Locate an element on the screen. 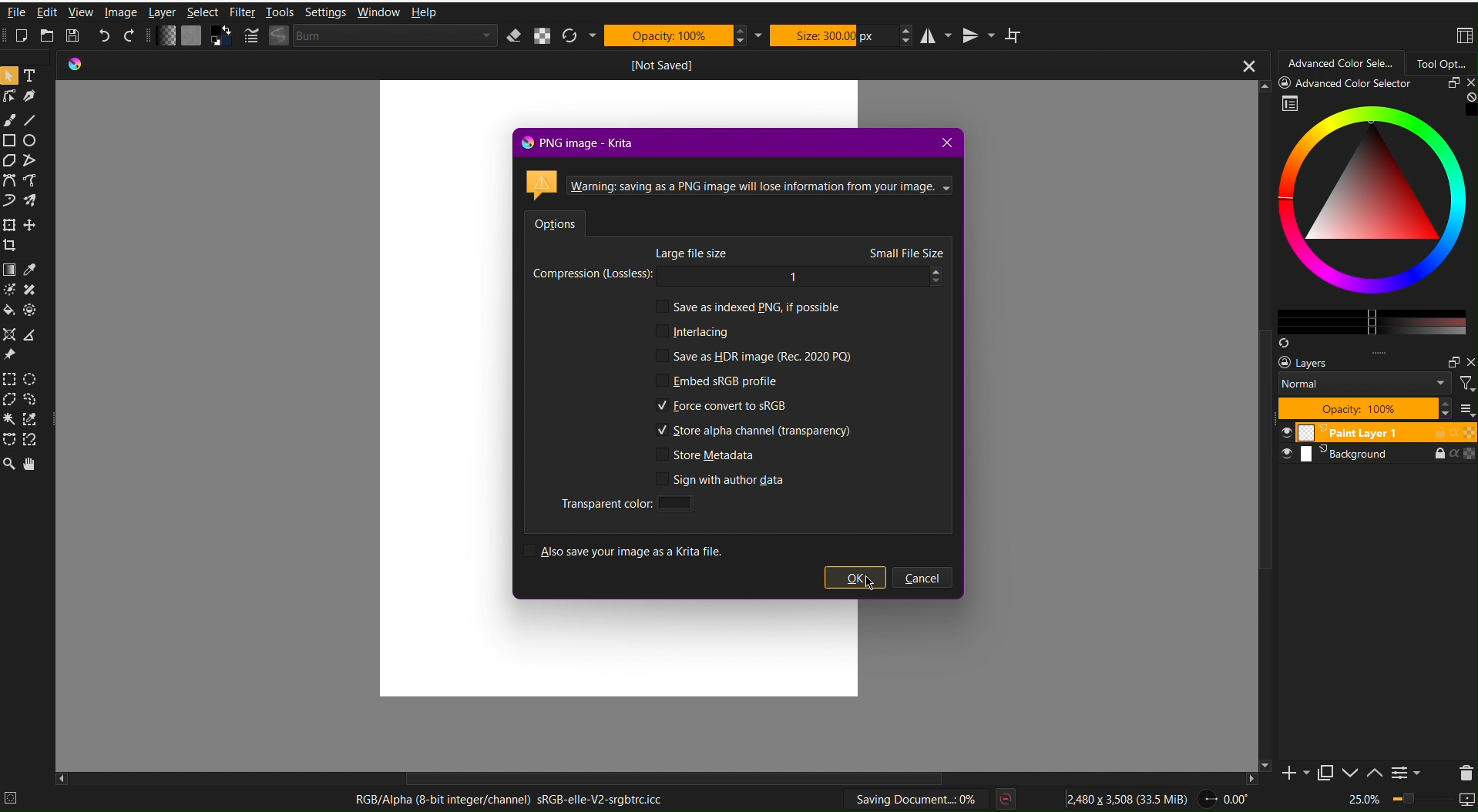 The height and width of the screenshot is (812, 1478). Opacity is located at coordinates (673, 35).